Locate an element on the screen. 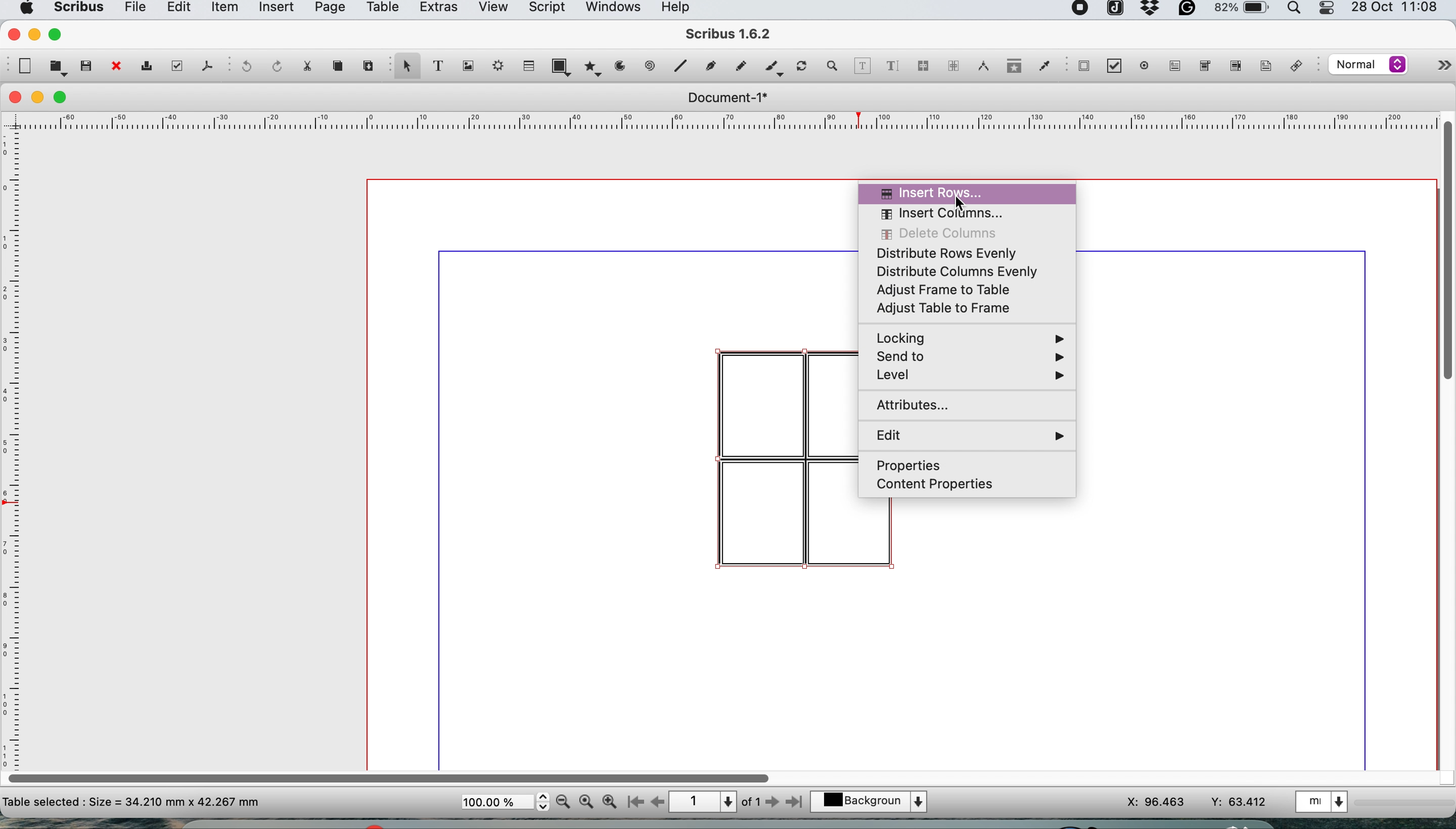 The width and height of the screenshot is (1456, 829). properties is located at coordinates (912, 466).